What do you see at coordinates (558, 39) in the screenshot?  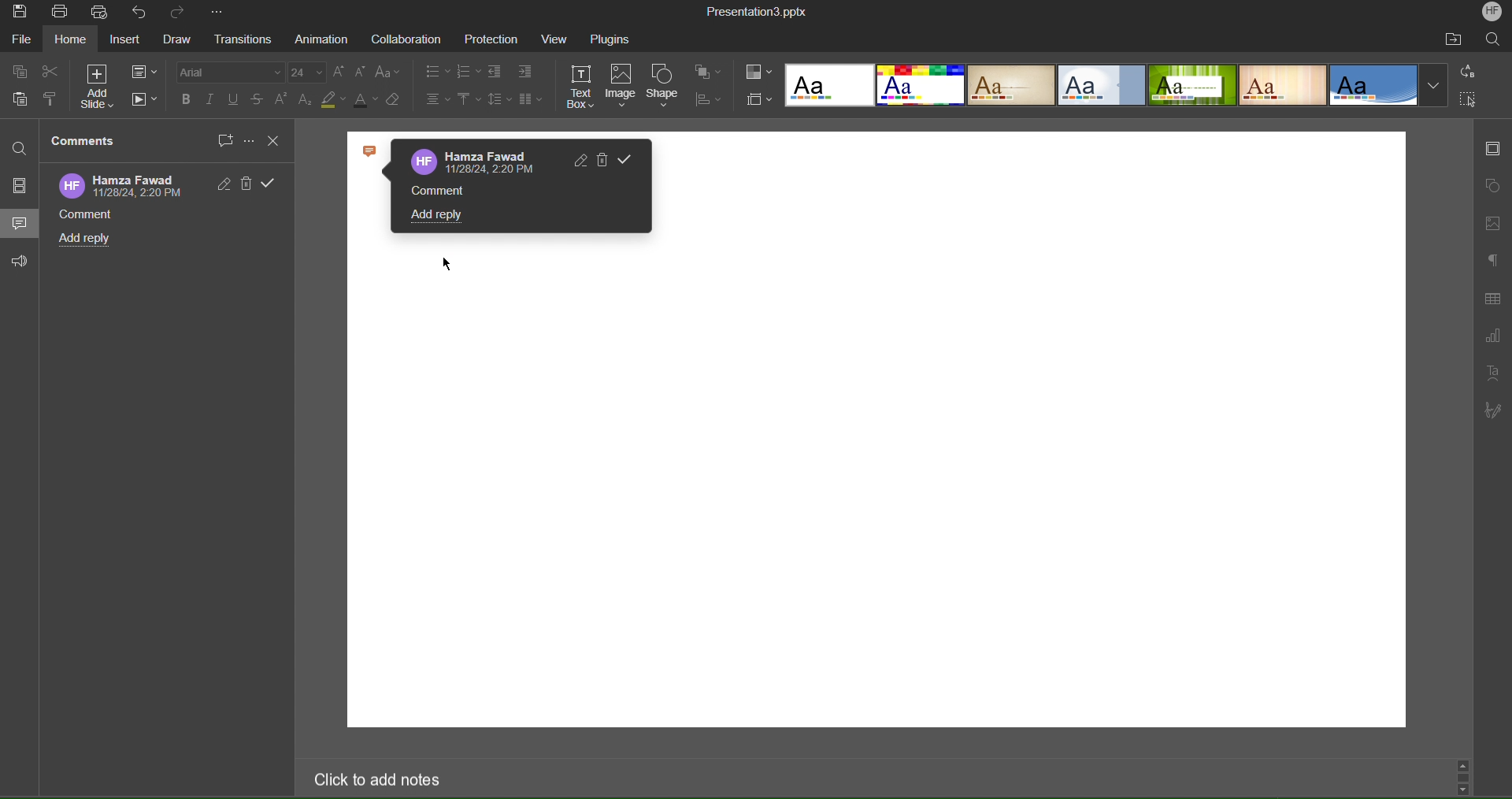 I see `View` at bounding box center [558, 39].